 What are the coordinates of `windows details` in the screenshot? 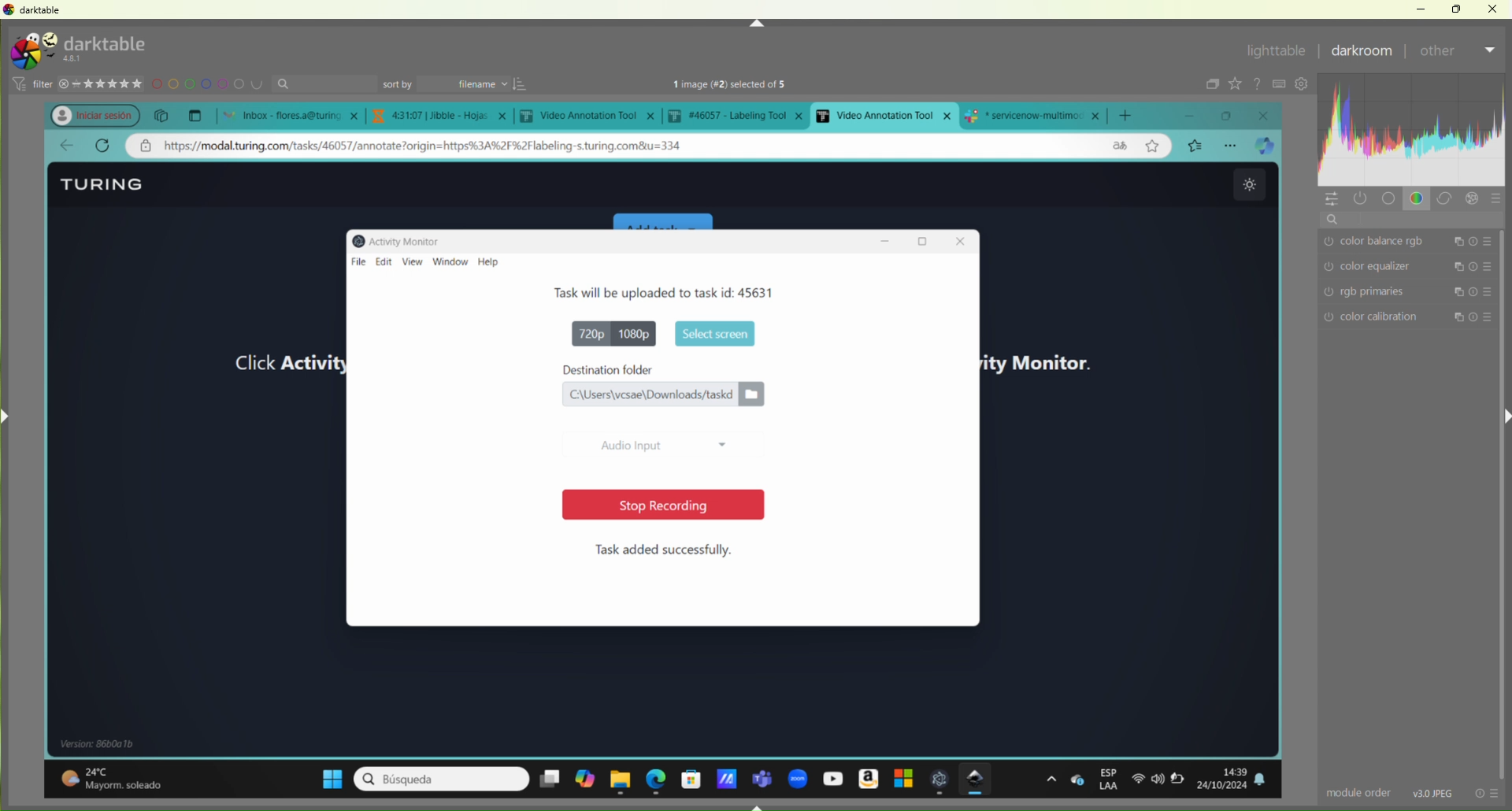 It's located at (105, 743).